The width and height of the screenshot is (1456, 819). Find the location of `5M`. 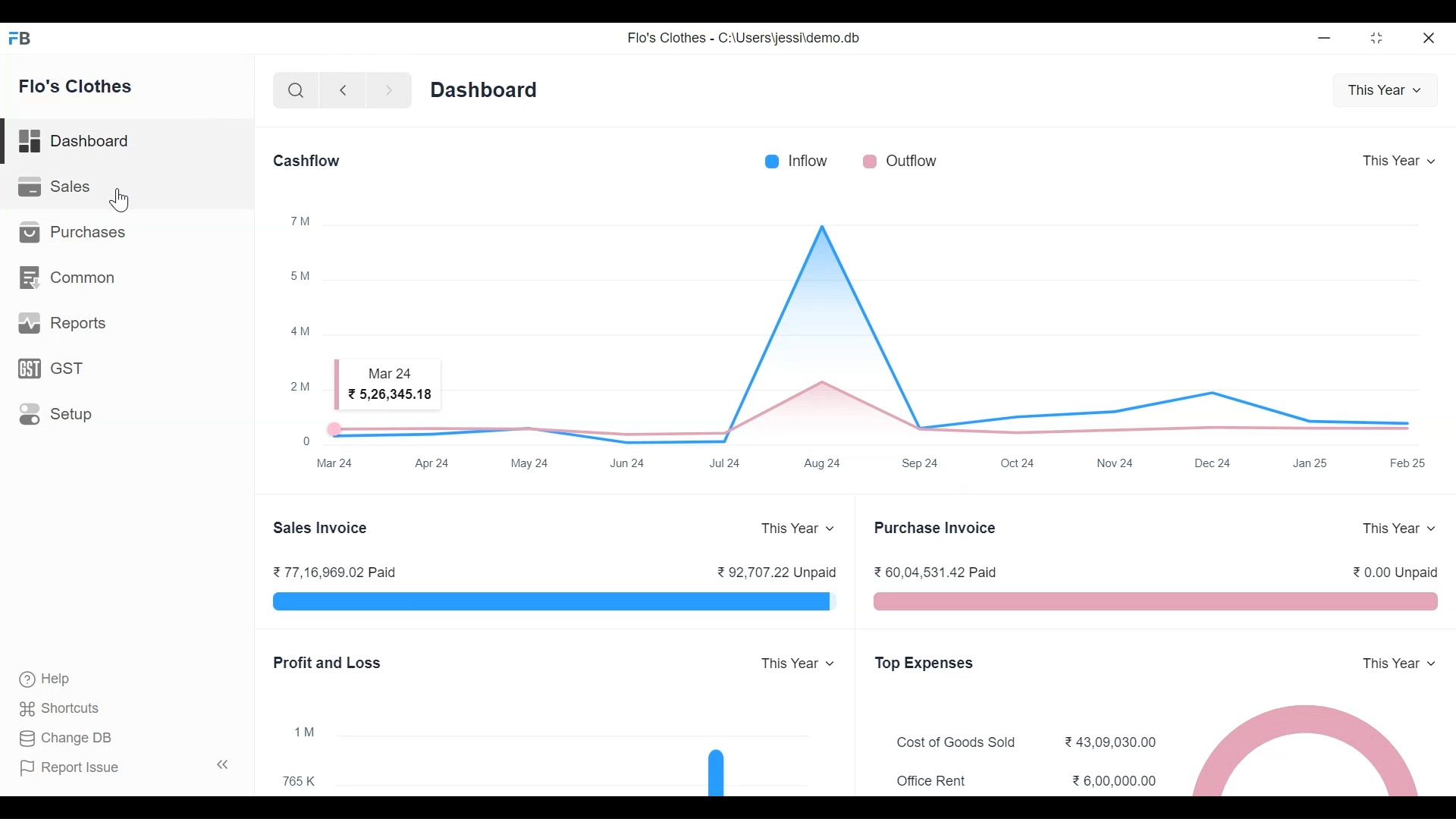

5M is located at coordinates (300, 275).